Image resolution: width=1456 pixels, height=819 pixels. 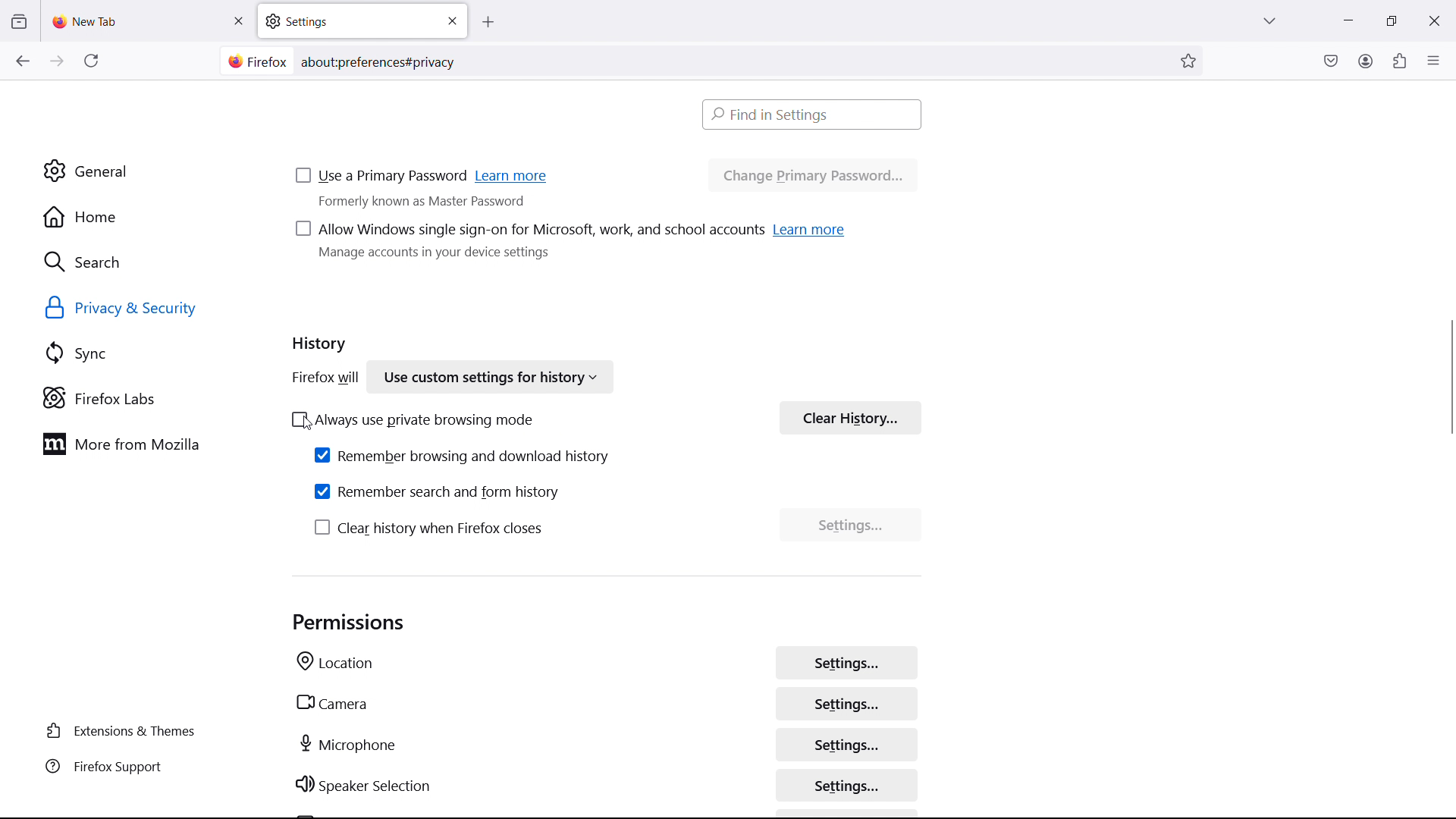 What do you see at coordinates (527, 231) in the screenshot?
I see `allow windows single sign-in fpr microsoft, work, and school accounts checkbox` at bounding box center [527, 231].